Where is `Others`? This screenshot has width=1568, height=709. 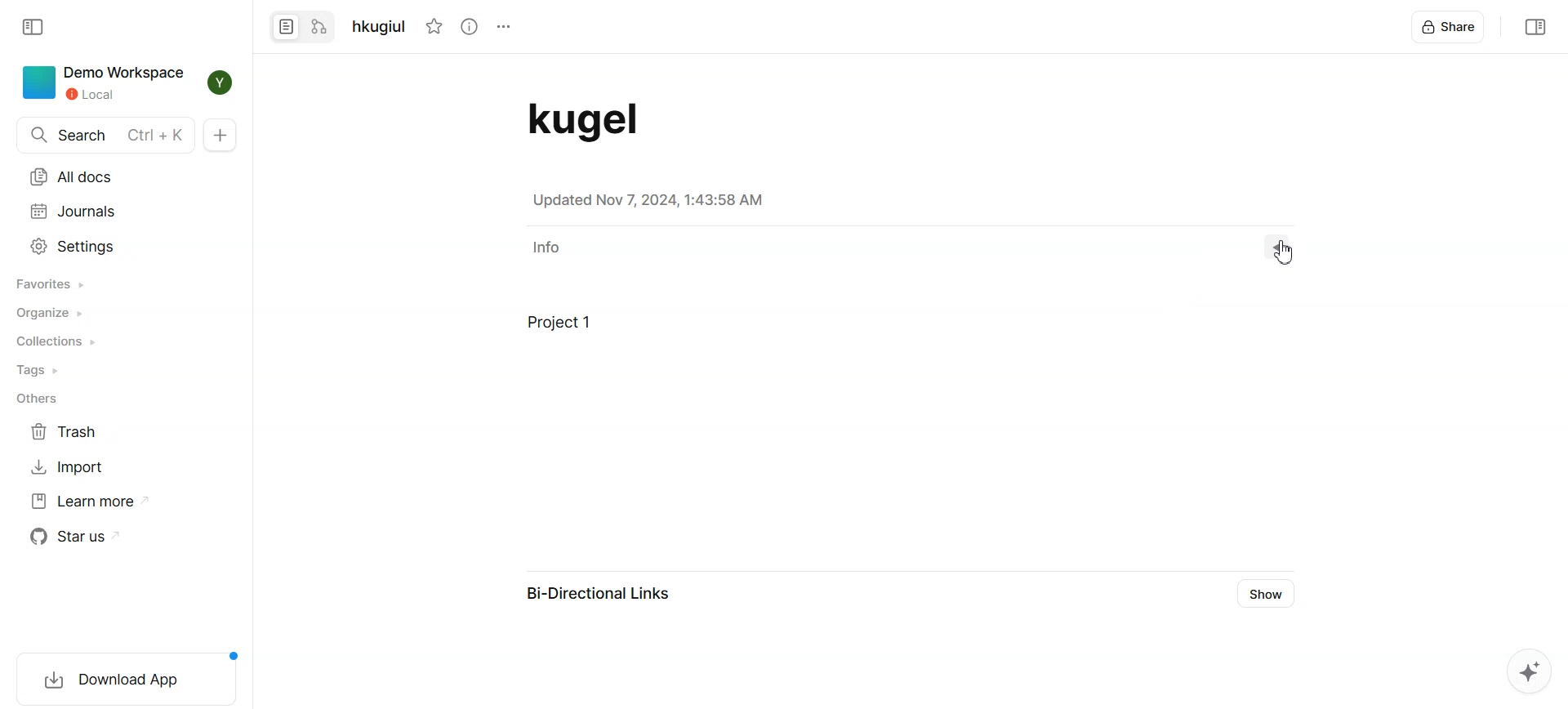
Others is located at coordinates (41, 399).